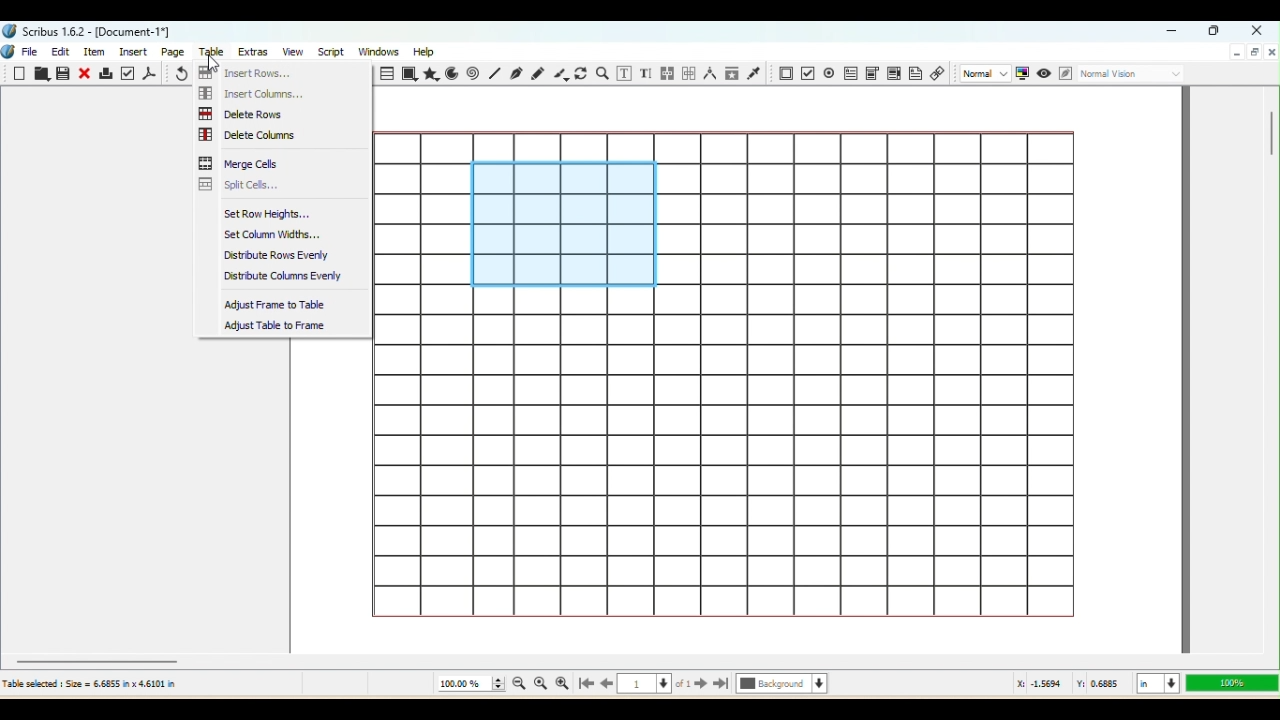  What do you see at coordinates (1271, 368) in the screenshot?
I see `Vertical scroll bar` at bounding box center [1271, 368].